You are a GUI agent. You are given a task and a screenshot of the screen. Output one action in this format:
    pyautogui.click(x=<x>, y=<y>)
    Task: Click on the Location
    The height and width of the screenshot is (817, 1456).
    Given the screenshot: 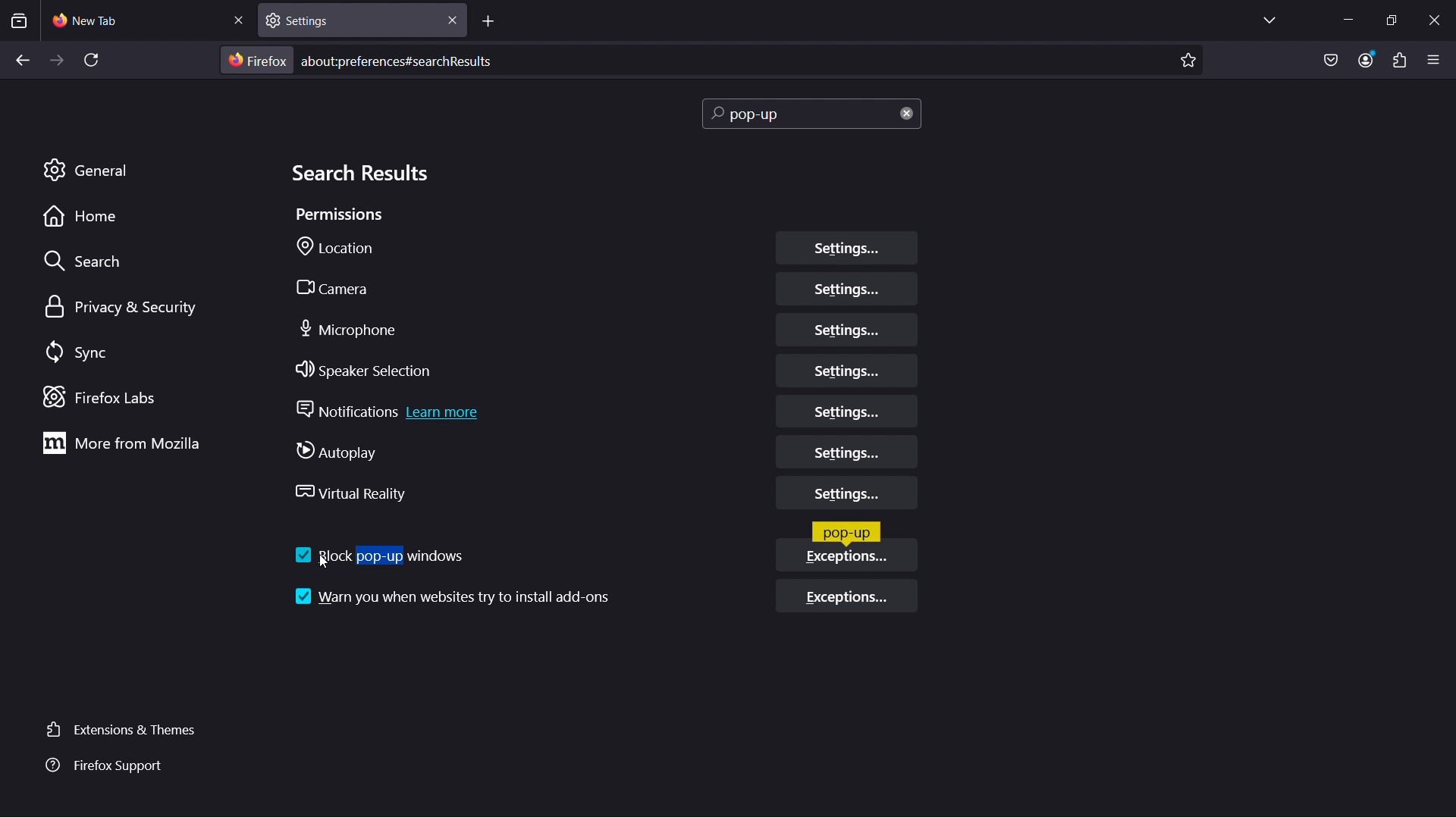 What is the action you would take?
    pyautogui.click(x=342, y=249)
    